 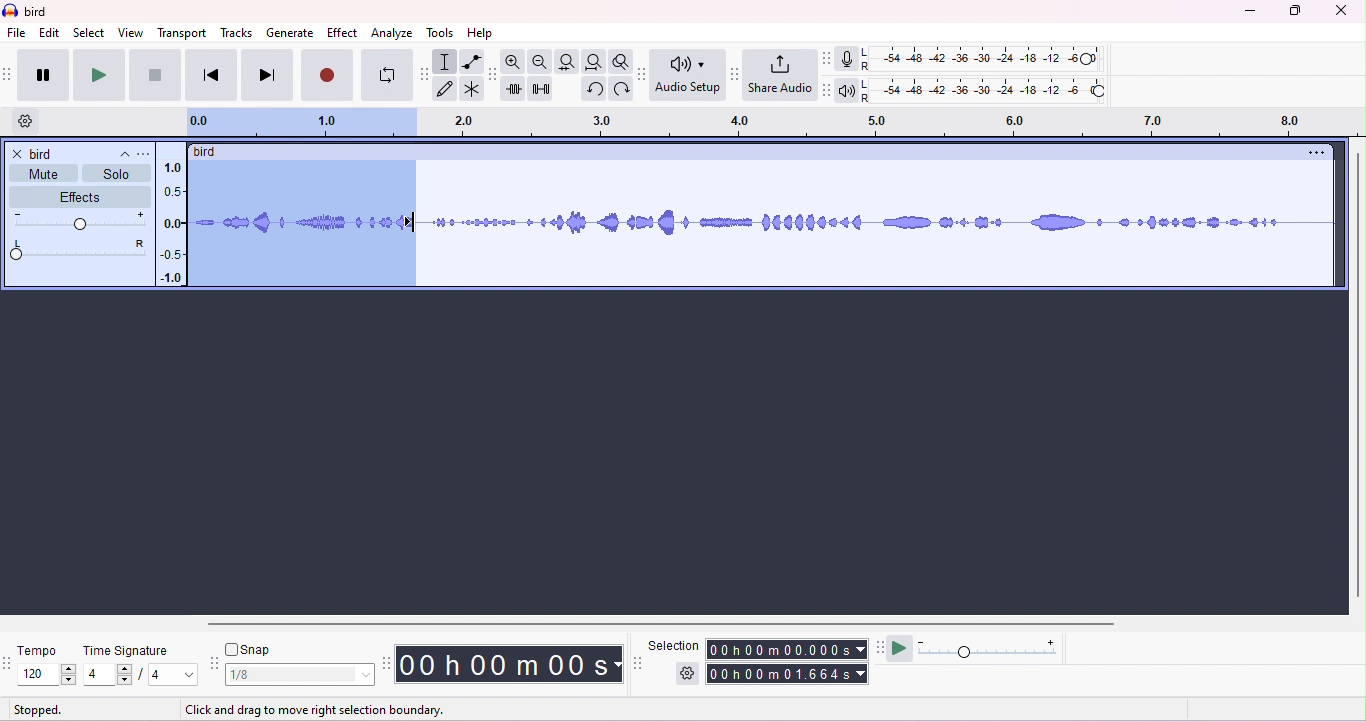 What do you see at coordinates (327, 710) in the screenshot?
I see `click and drag to select audio (snapping) (Esc to cancel)` at bounding box center [327, 710].